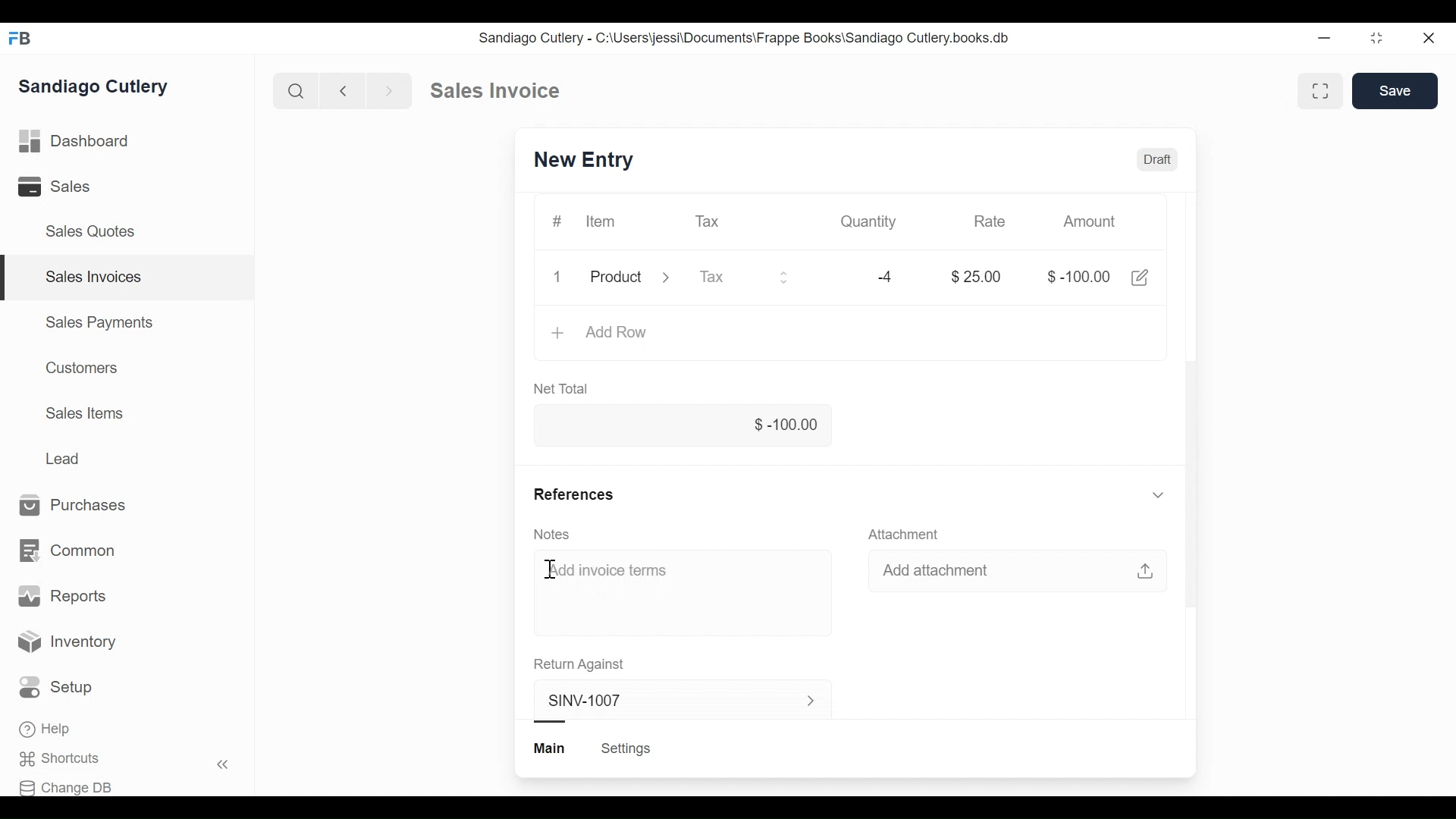 This screenshot has height=819, width=1456. I want to click on Draft, so click(1157, 159).